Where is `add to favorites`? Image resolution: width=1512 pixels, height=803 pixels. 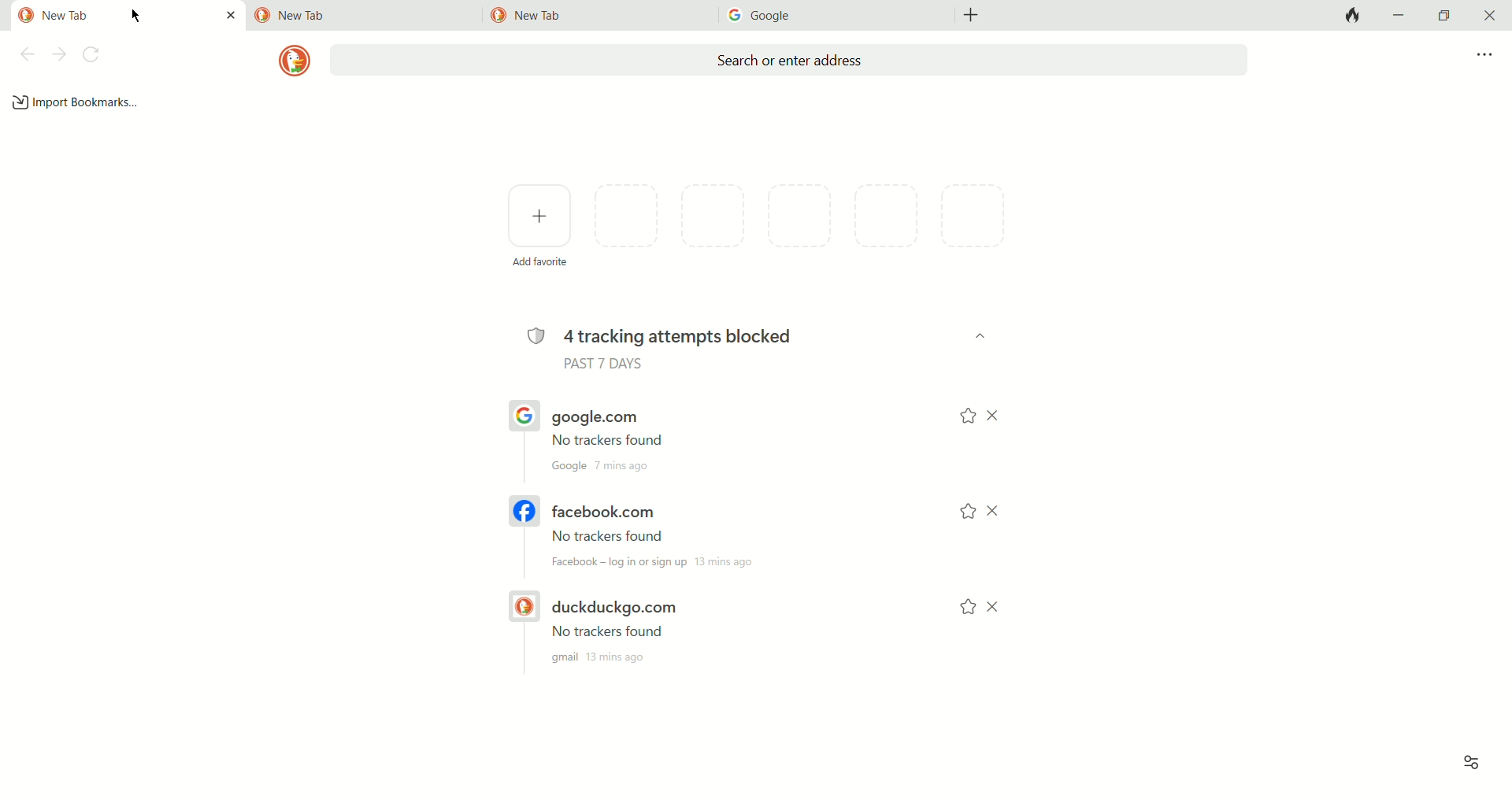
add to favorites is located at coordinates (967, 419).